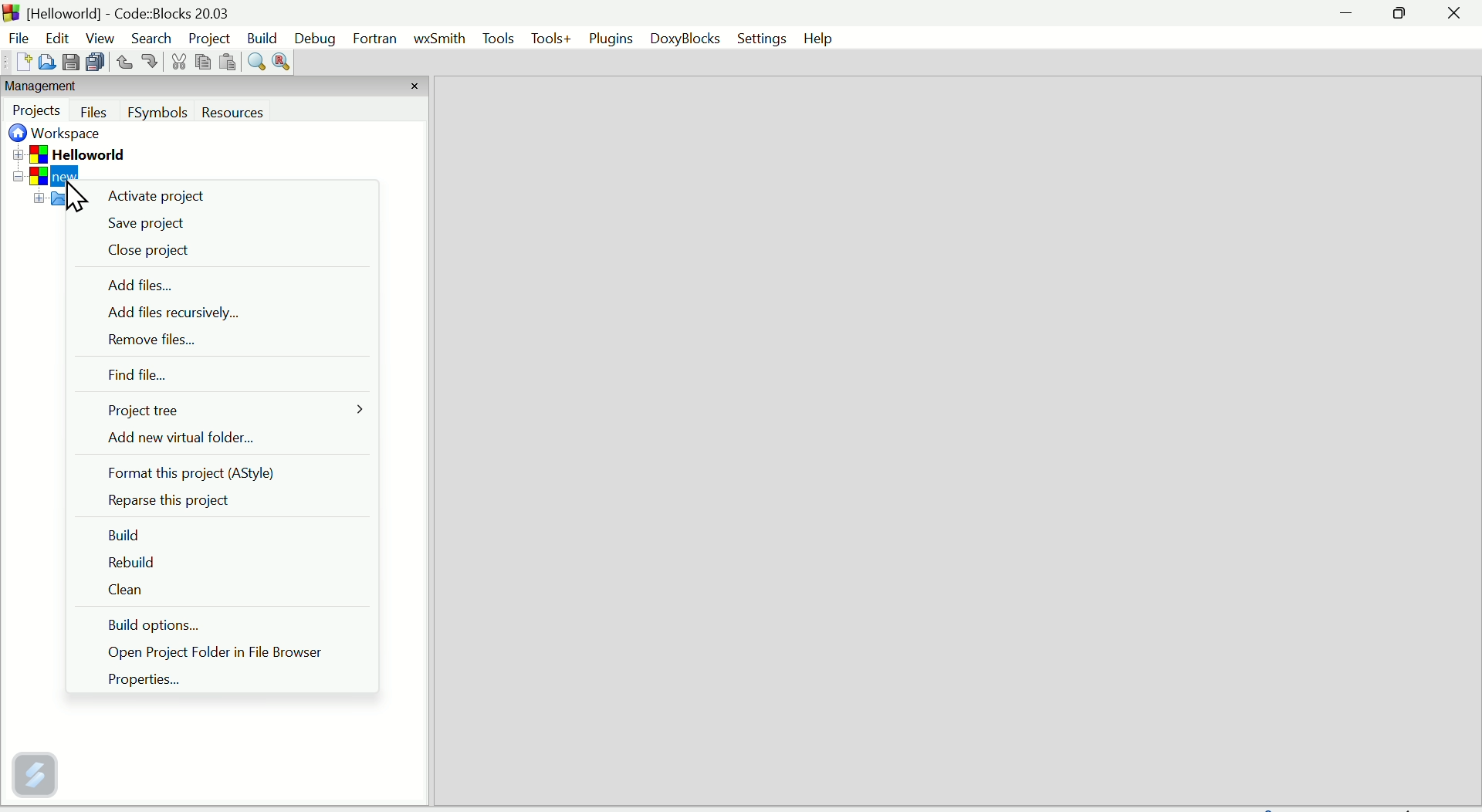  What do you see at coordinates (234, 654) in the screenshot?
I see `Open project folder in the browser` at bounding box center [234, 654].